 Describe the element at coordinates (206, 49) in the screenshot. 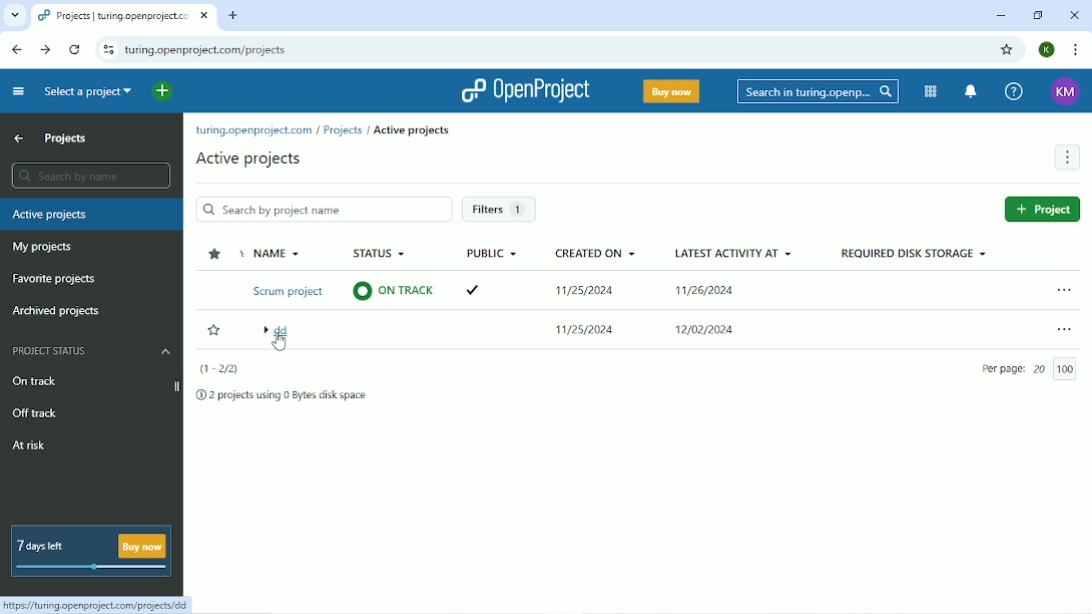

I see `Site` at that location.